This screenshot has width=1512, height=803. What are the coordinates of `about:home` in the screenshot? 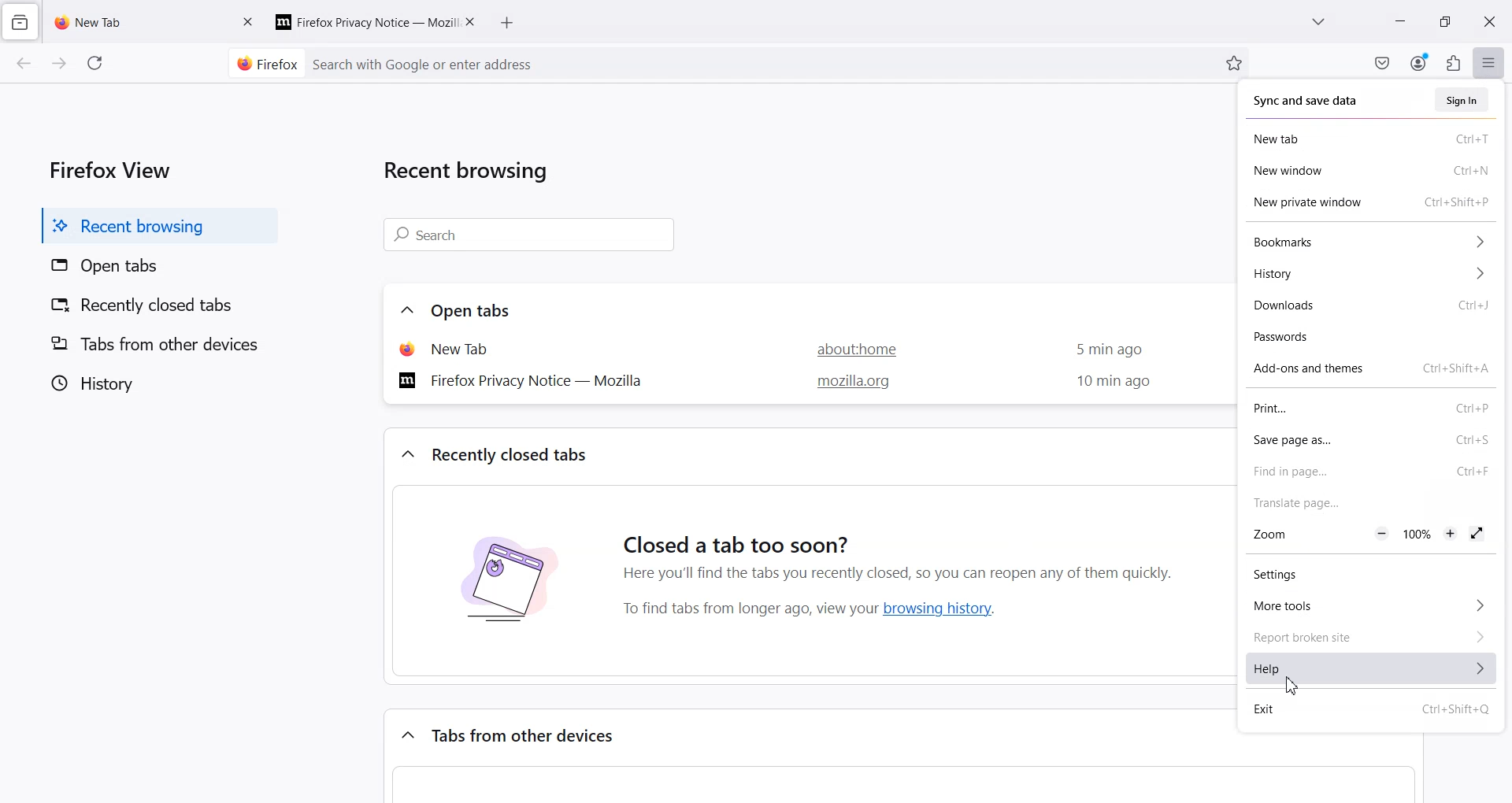 It's located at (848, 348).